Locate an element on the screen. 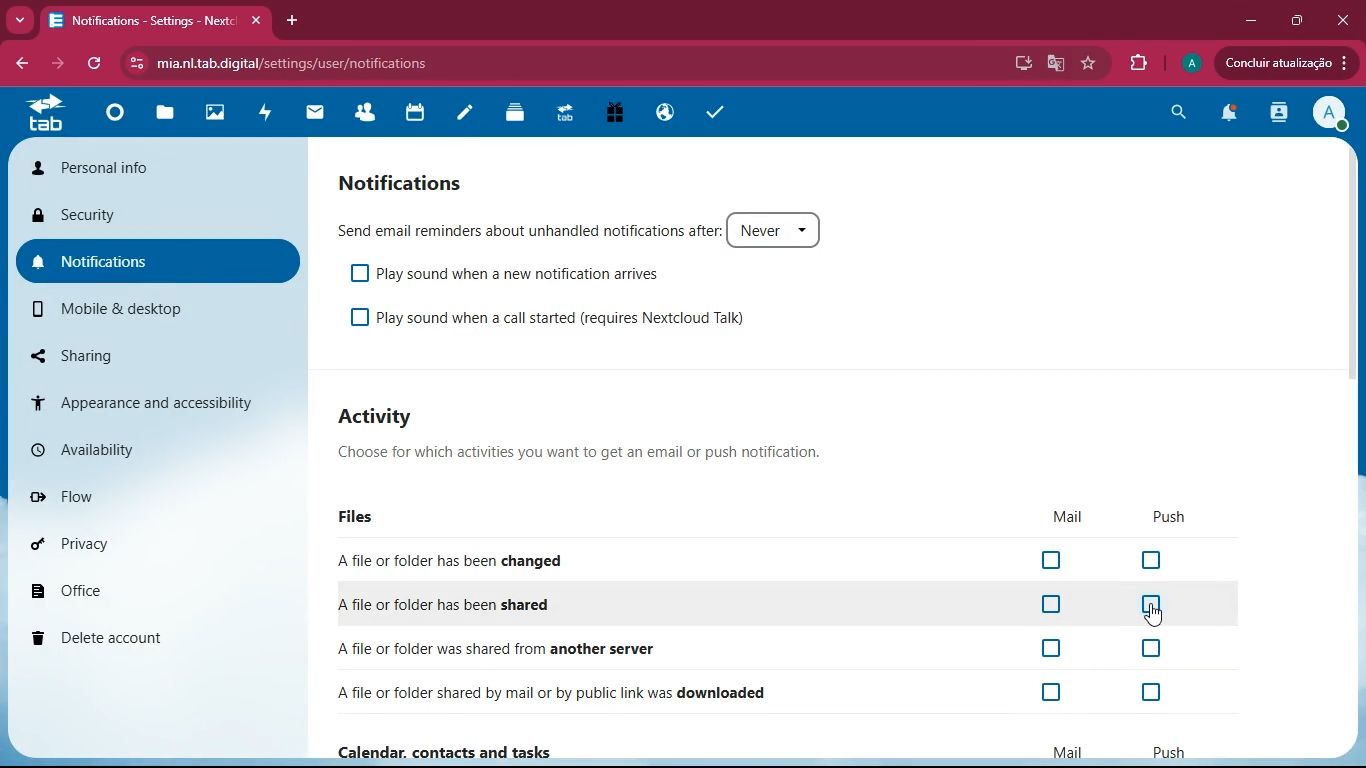 Image resolution: width=1366 pixels, height=768 pixels. search is located at coordinates (1177, 116).